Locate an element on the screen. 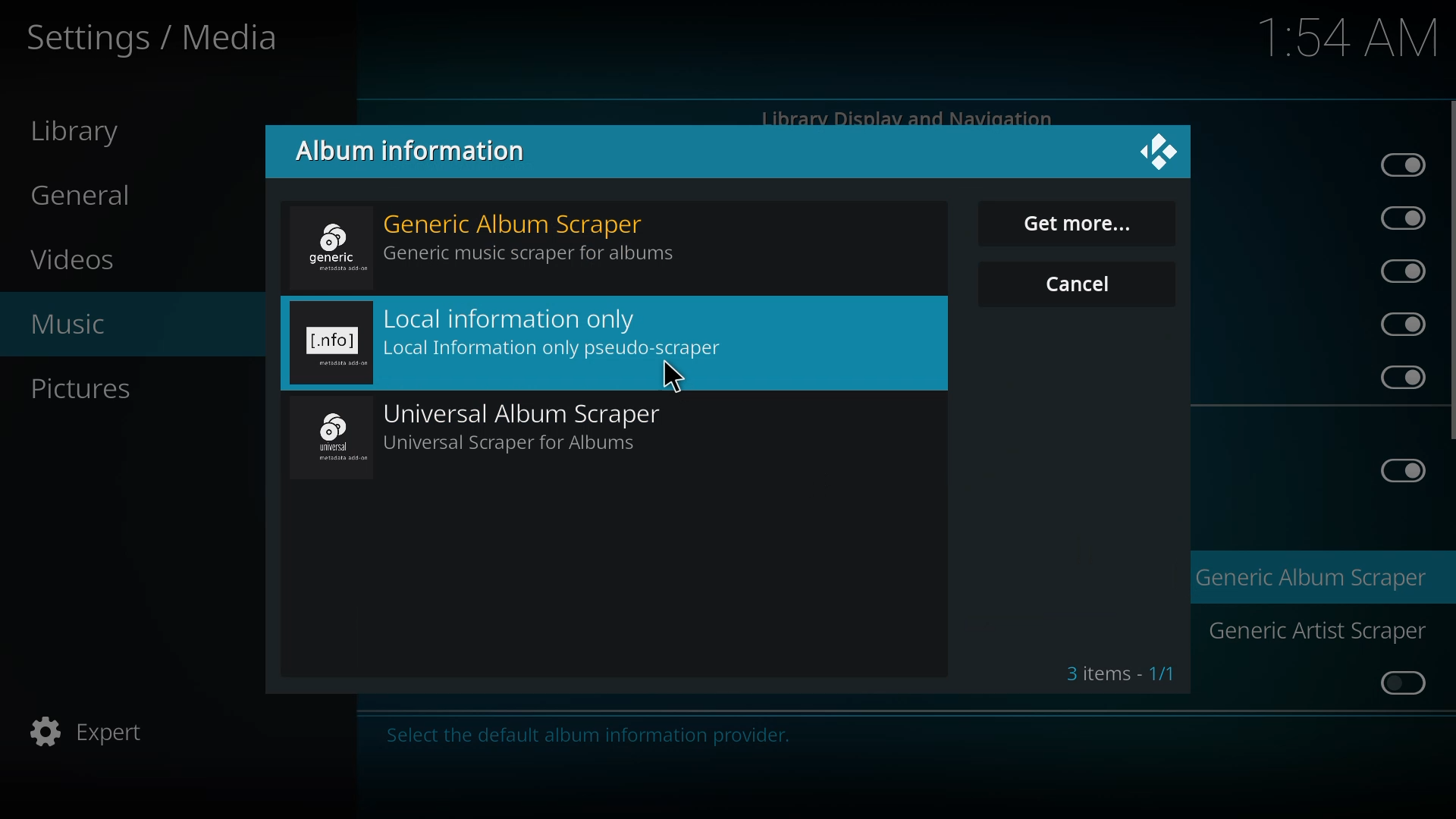  cursor is located at coordinates (670, 375).